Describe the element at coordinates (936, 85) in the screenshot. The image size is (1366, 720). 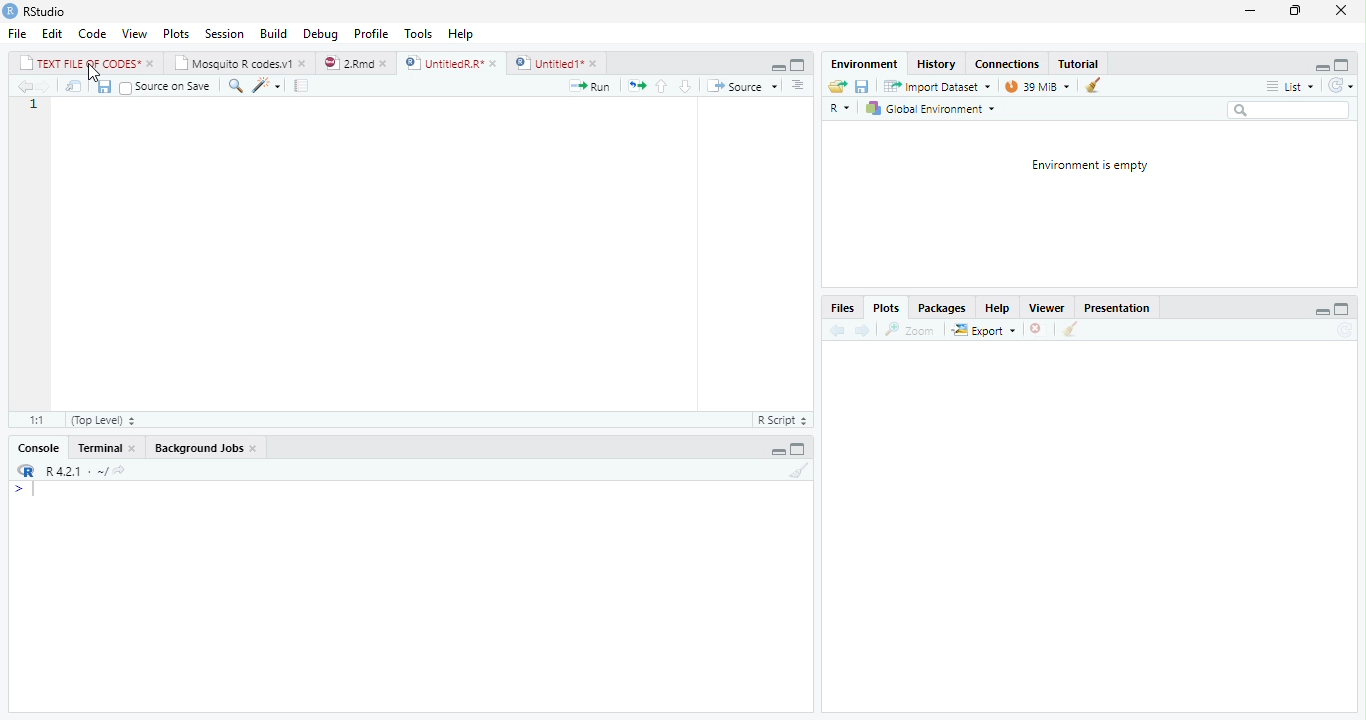
I see `Import dataset` at that location.